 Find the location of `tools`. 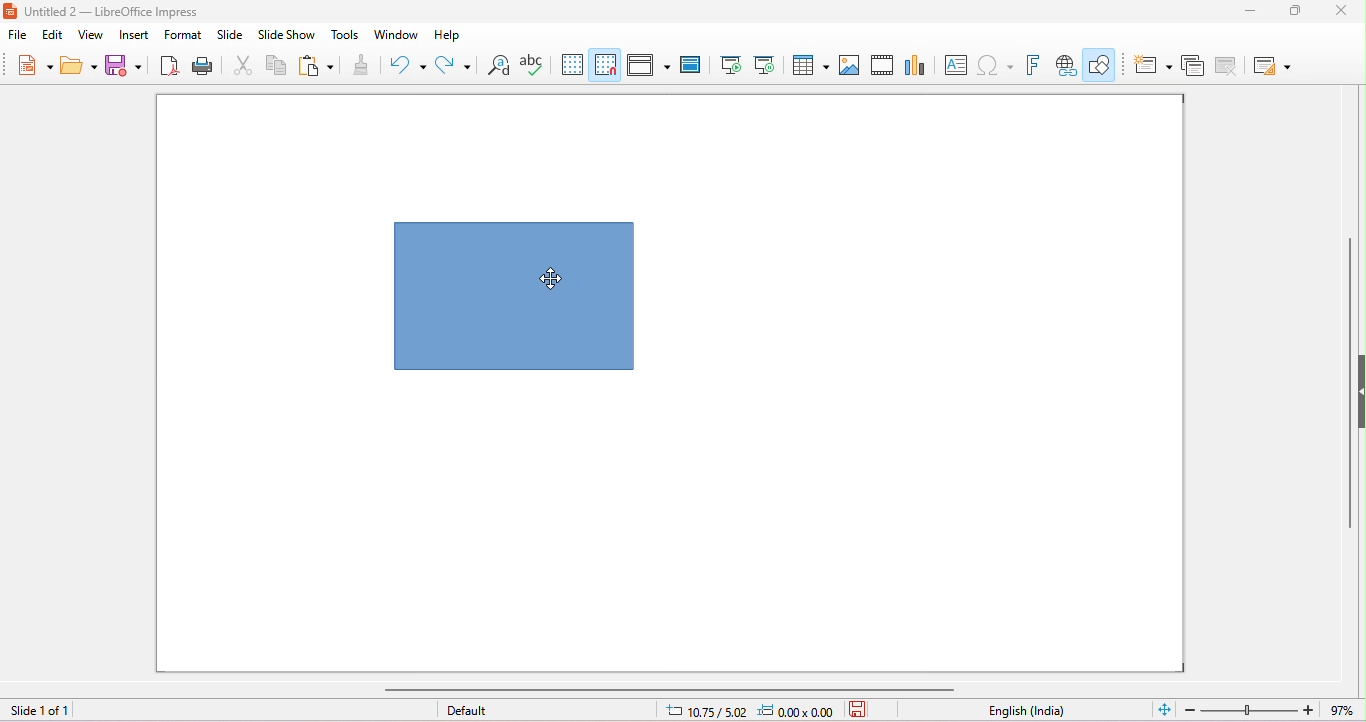

tools is located at coordinates (344, 34).